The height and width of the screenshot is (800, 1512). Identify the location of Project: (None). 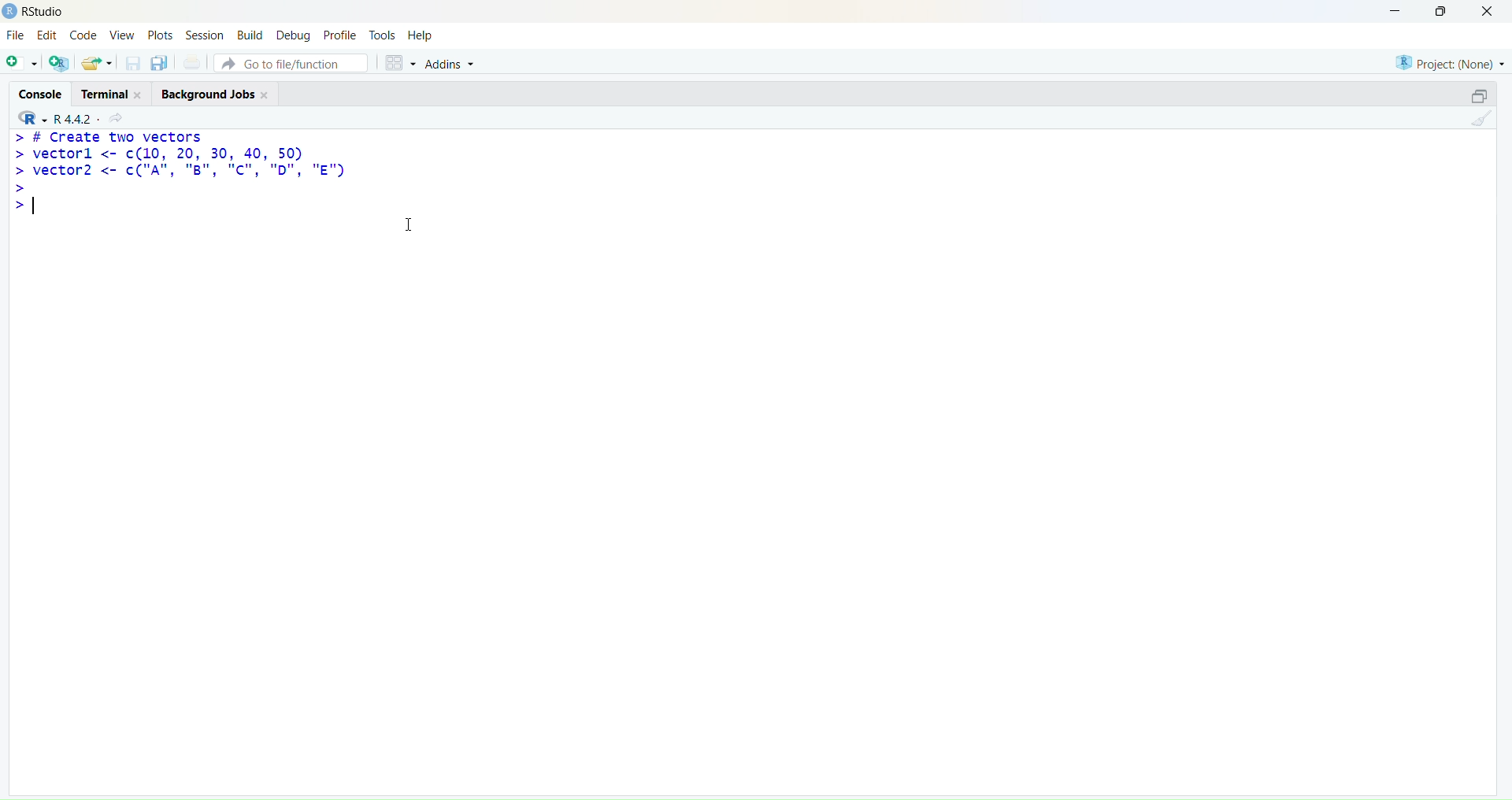
(1448, 63).